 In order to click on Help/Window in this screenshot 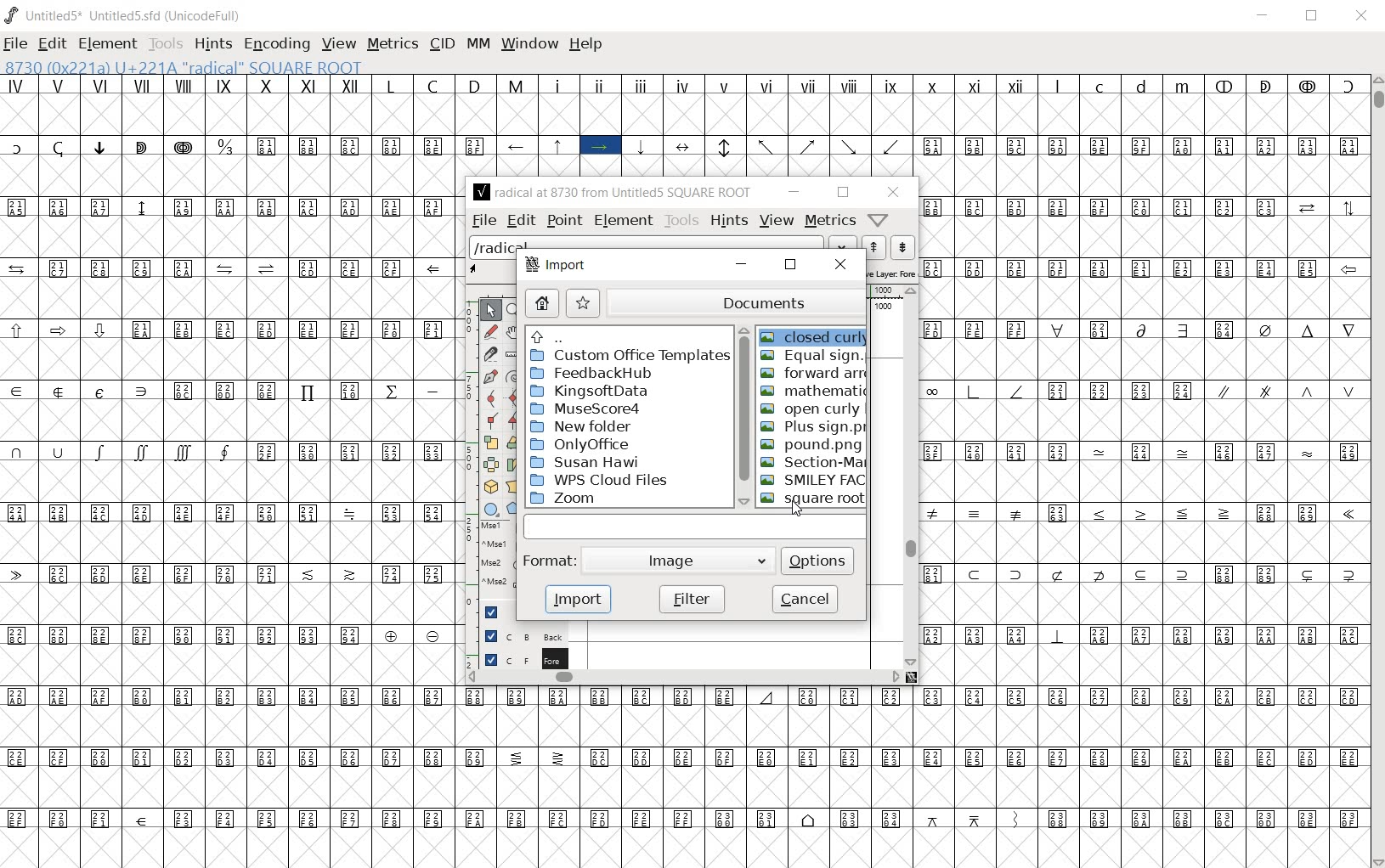, I will do `click(879, 222)`.